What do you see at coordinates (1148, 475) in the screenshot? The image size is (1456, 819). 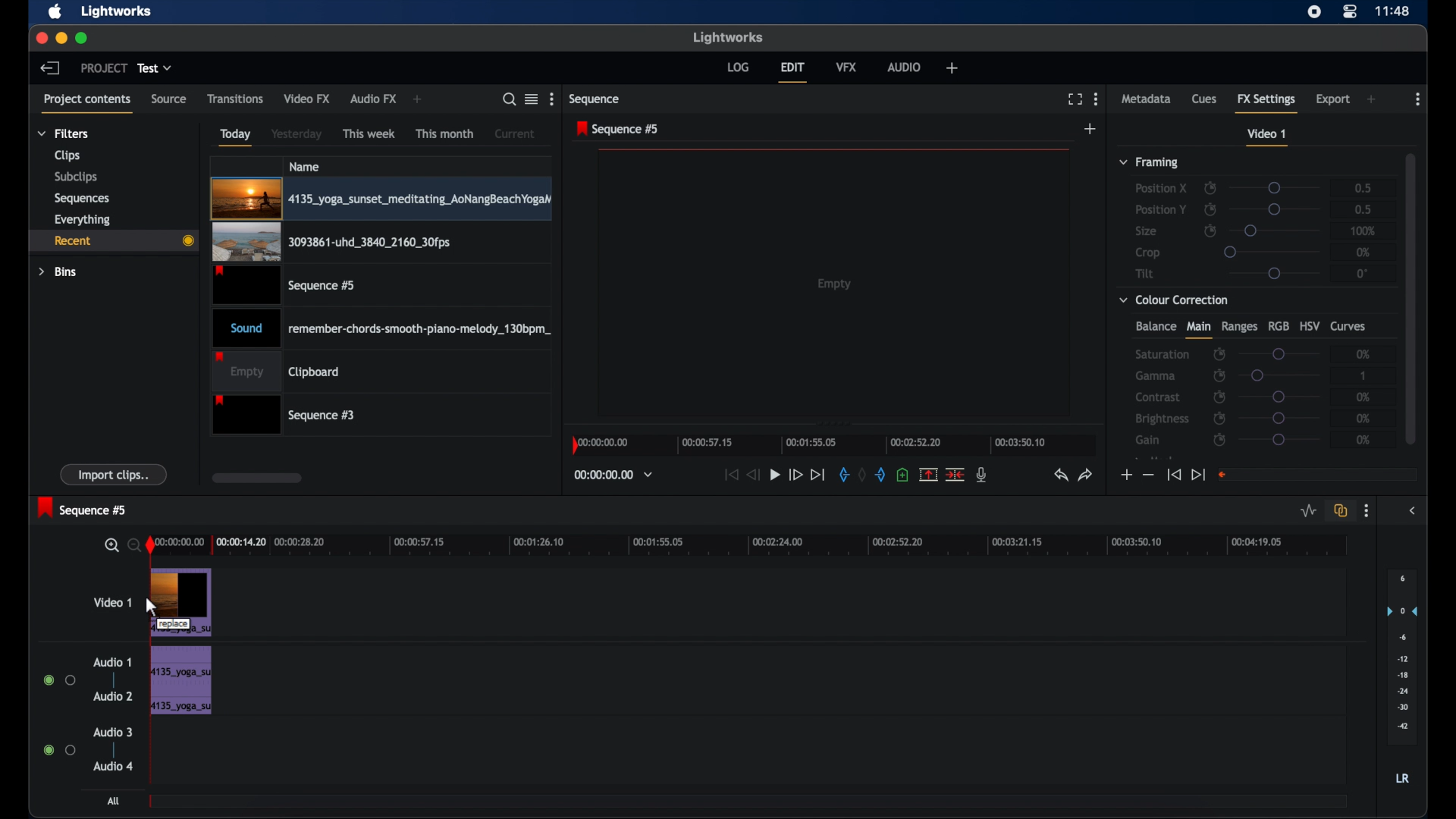 I see `decrement` at bounding box center [1148, 475].